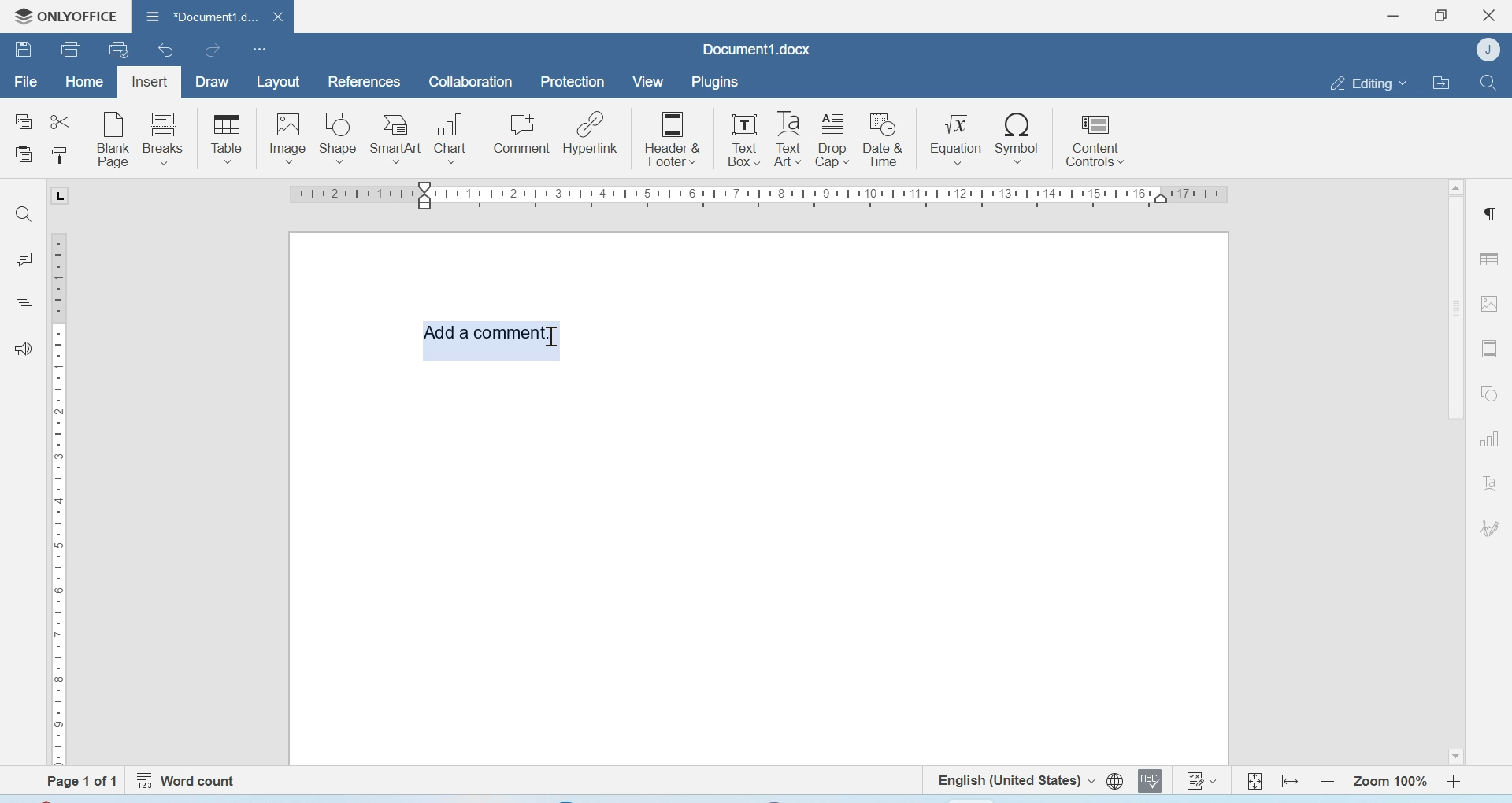 Image resolution: width=1512 pixels, height=803 pixels. What do you see at coordinates (1441, 82) in the screenshot?
I see `Open file location` at bounding box center [1441, 82].